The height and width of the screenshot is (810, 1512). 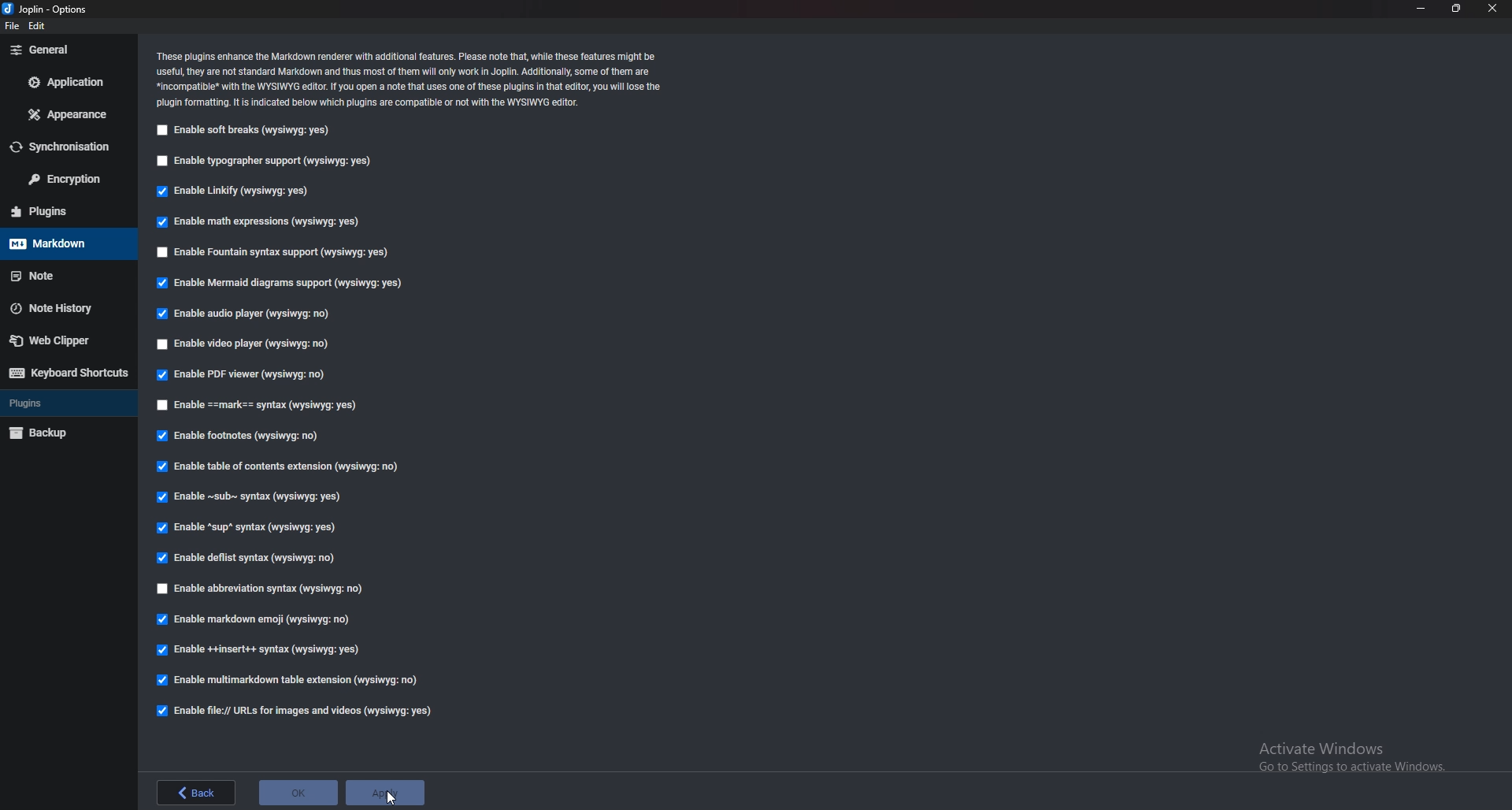 I want to click on Activate Windows
Go to Settings to activate Windows., so click(x=1343, y=754).